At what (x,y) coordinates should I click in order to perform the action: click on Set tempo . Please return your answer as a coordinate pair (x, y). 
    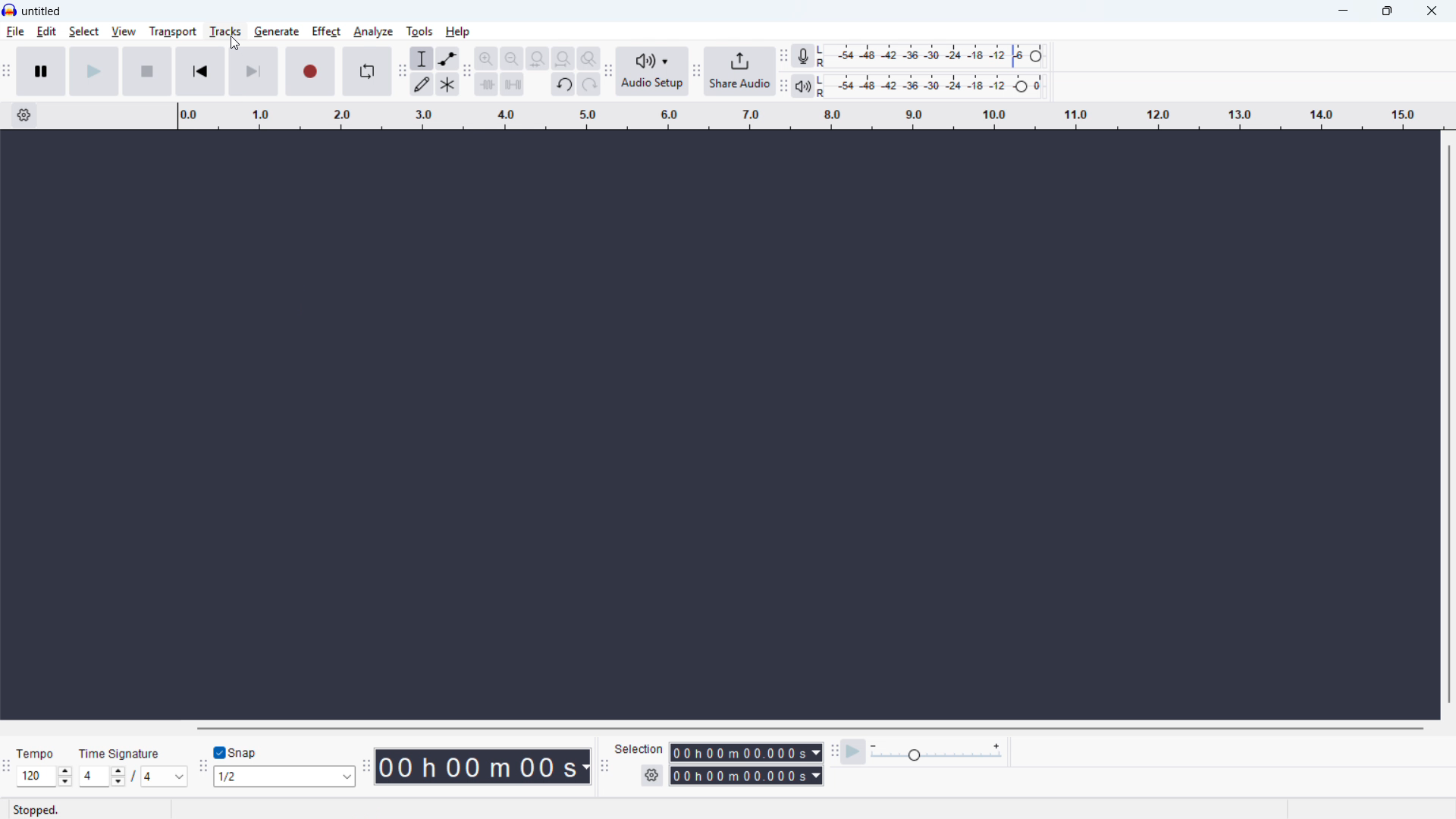
    Looking at the image, I should click on (44, 777).